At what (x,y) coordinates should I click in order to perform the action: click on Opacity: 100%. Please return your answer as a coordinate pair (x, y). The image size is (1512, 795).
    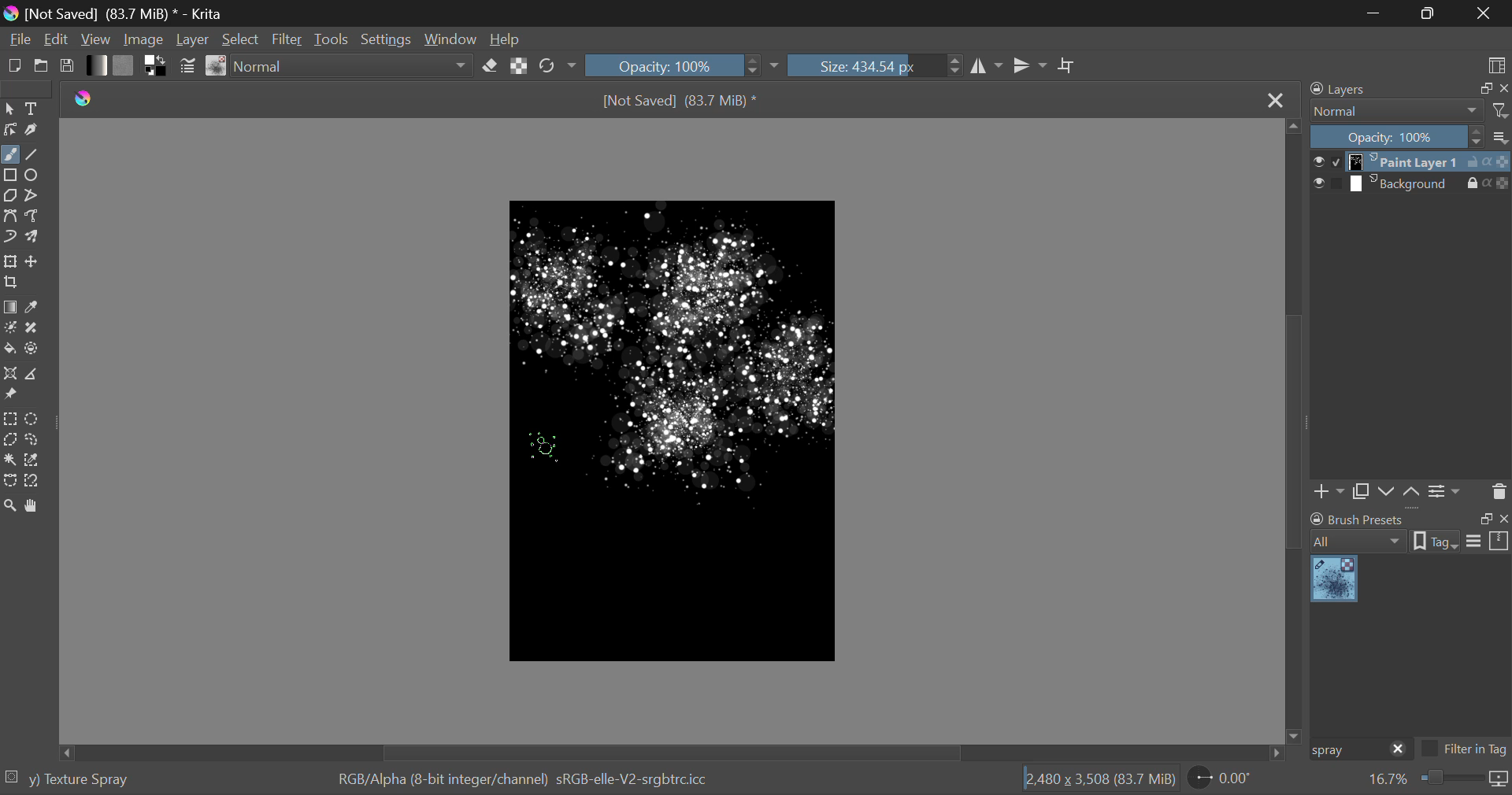
    Looking at the image, I should click on (1397, 138).